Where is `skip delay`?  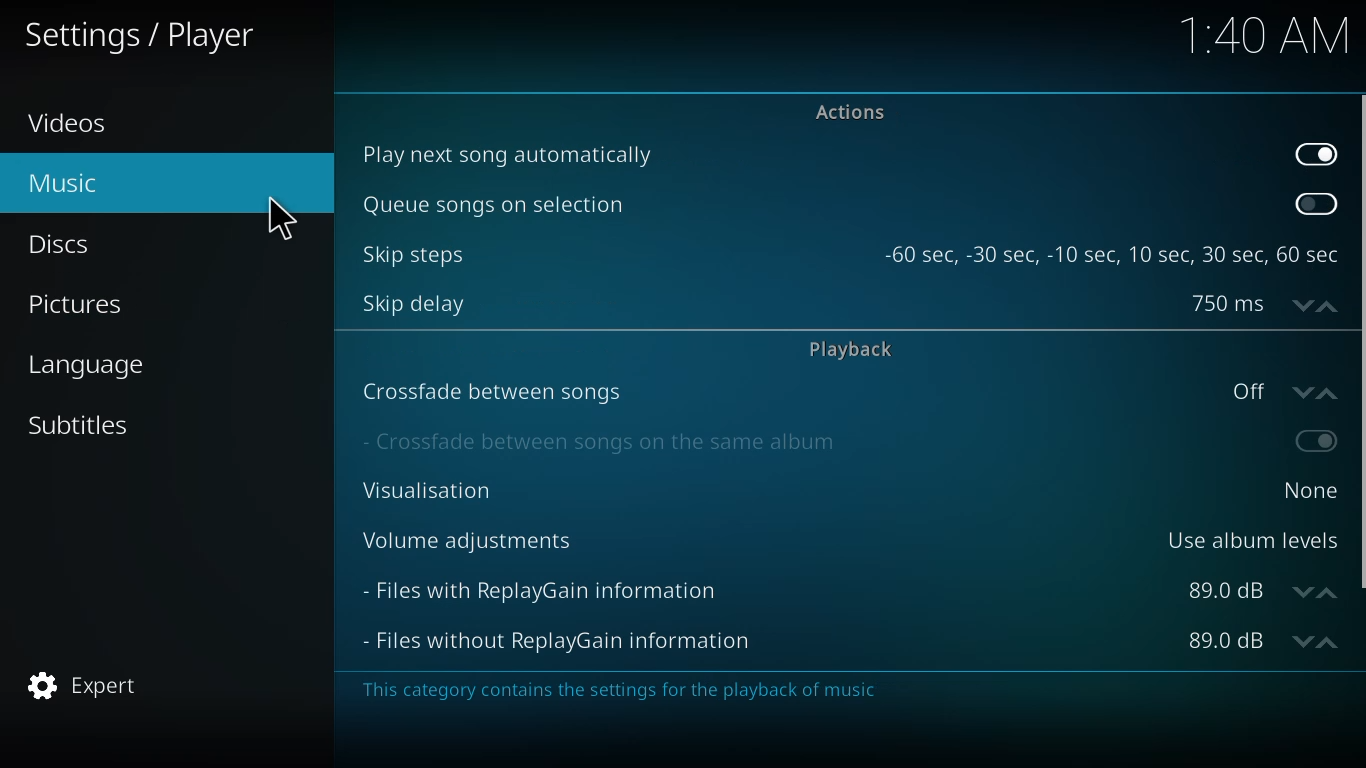 skip delay is located at coordinates (414, 302).